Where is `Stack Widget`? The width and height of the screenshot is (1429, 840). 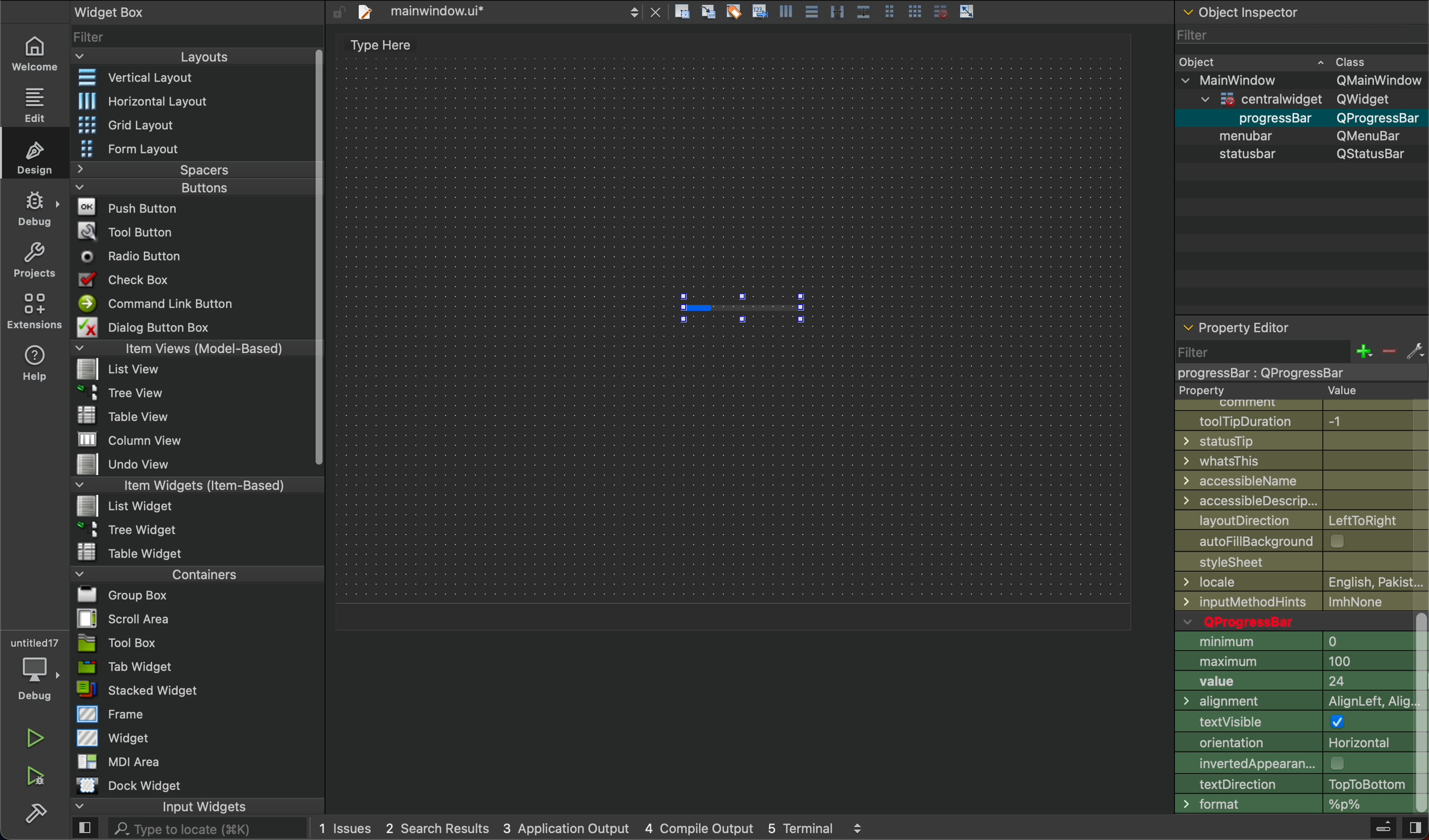
Stack Widget is located at coordinates (177, 690).